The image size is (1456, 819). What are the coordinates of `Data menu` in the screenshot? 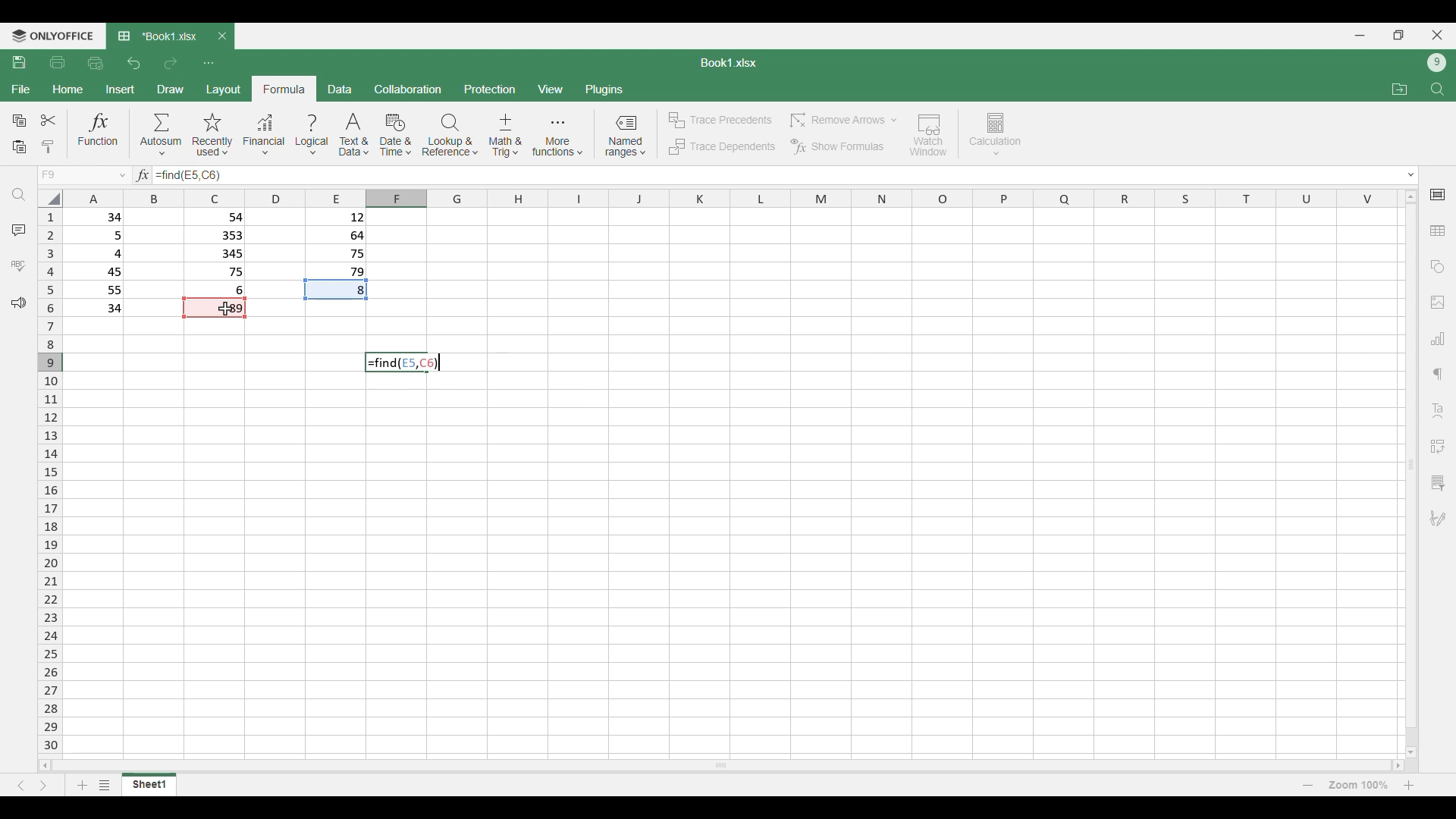 It's located at (340, 89).